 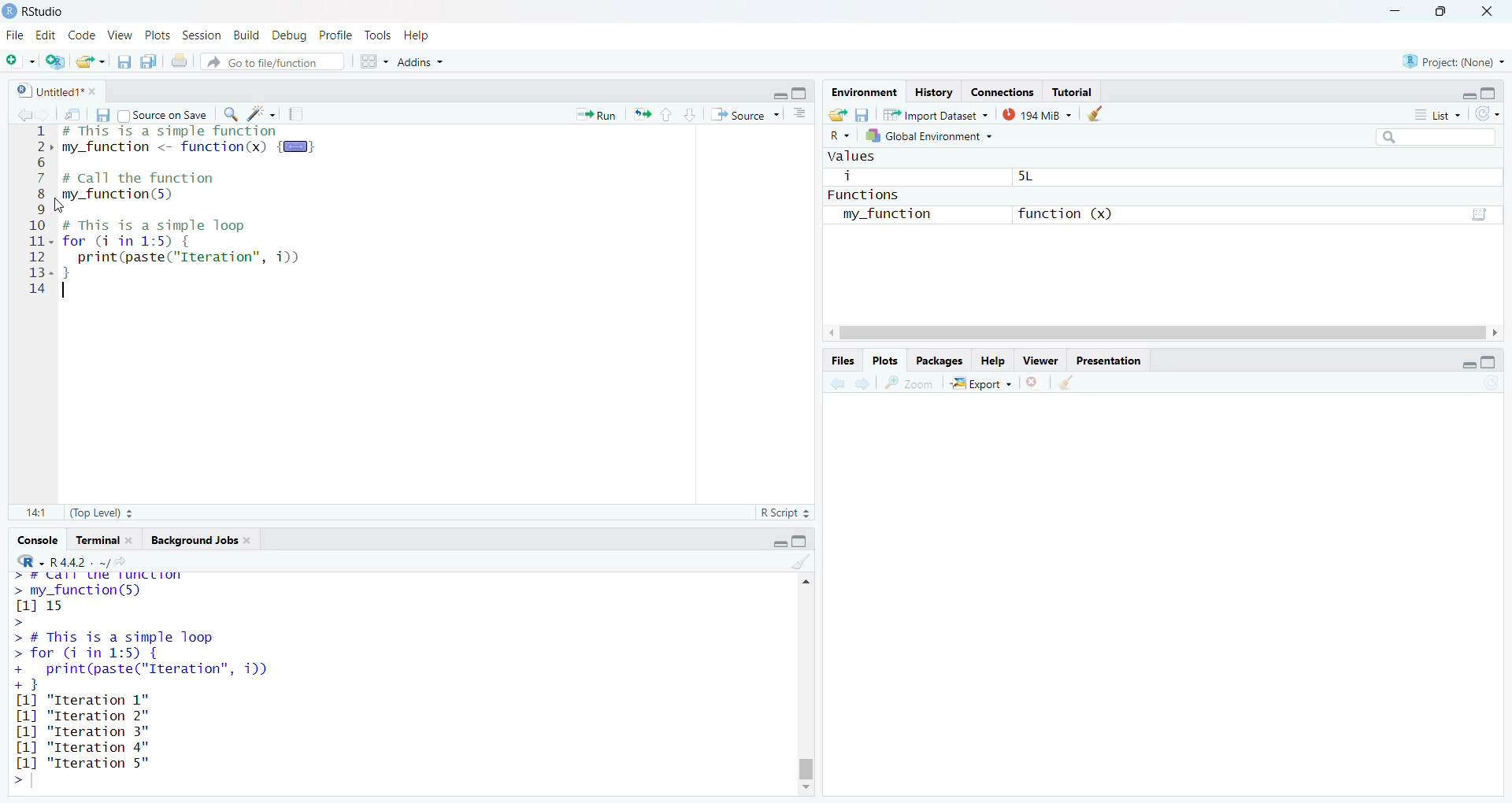 I want to click on debug, so click(x=290, y=33).